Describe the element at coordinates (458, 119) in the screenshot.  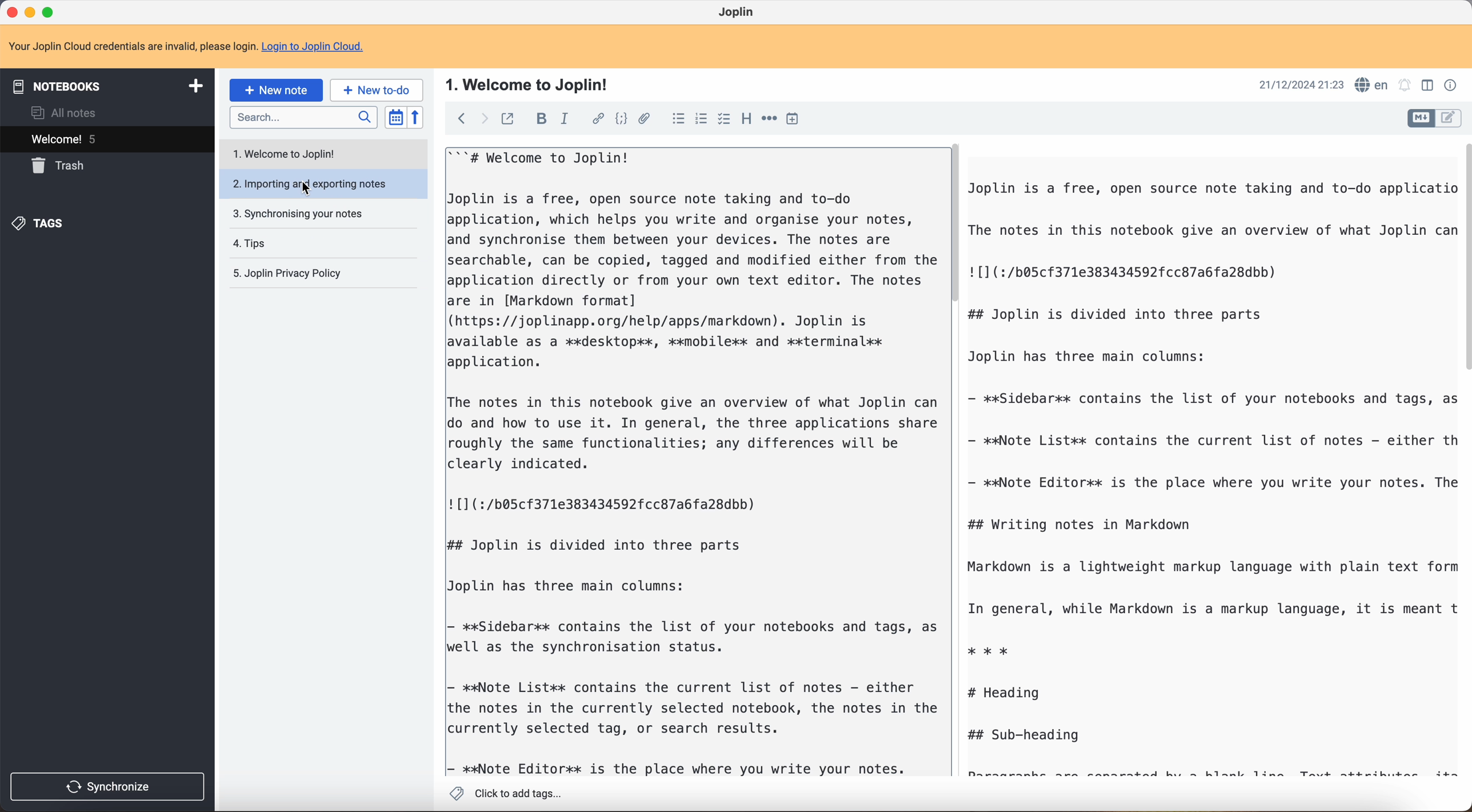
I see `back` at that location.